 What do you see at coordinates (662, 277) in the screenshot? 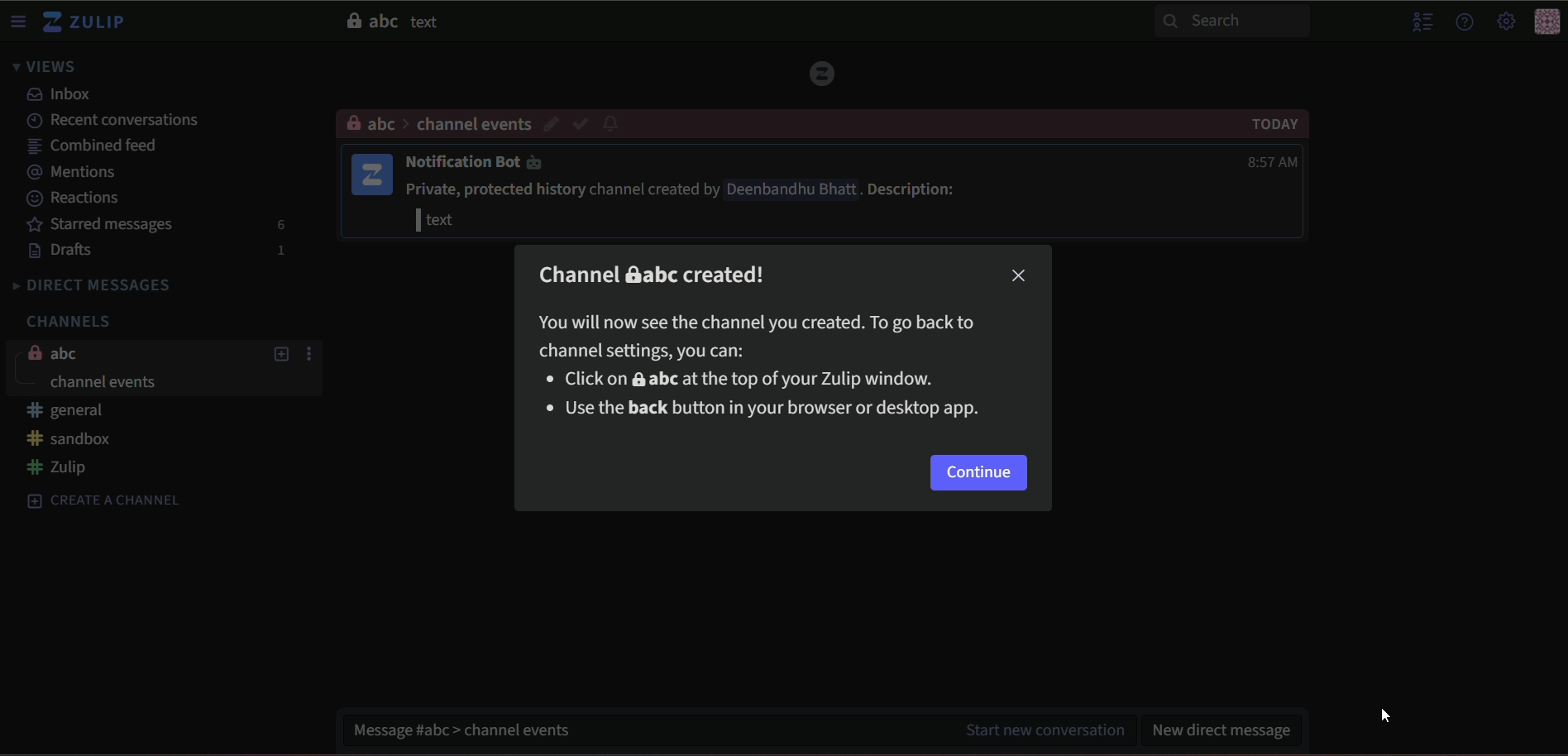
I see `Channel &abc created!` at bounding box center [662, 277].